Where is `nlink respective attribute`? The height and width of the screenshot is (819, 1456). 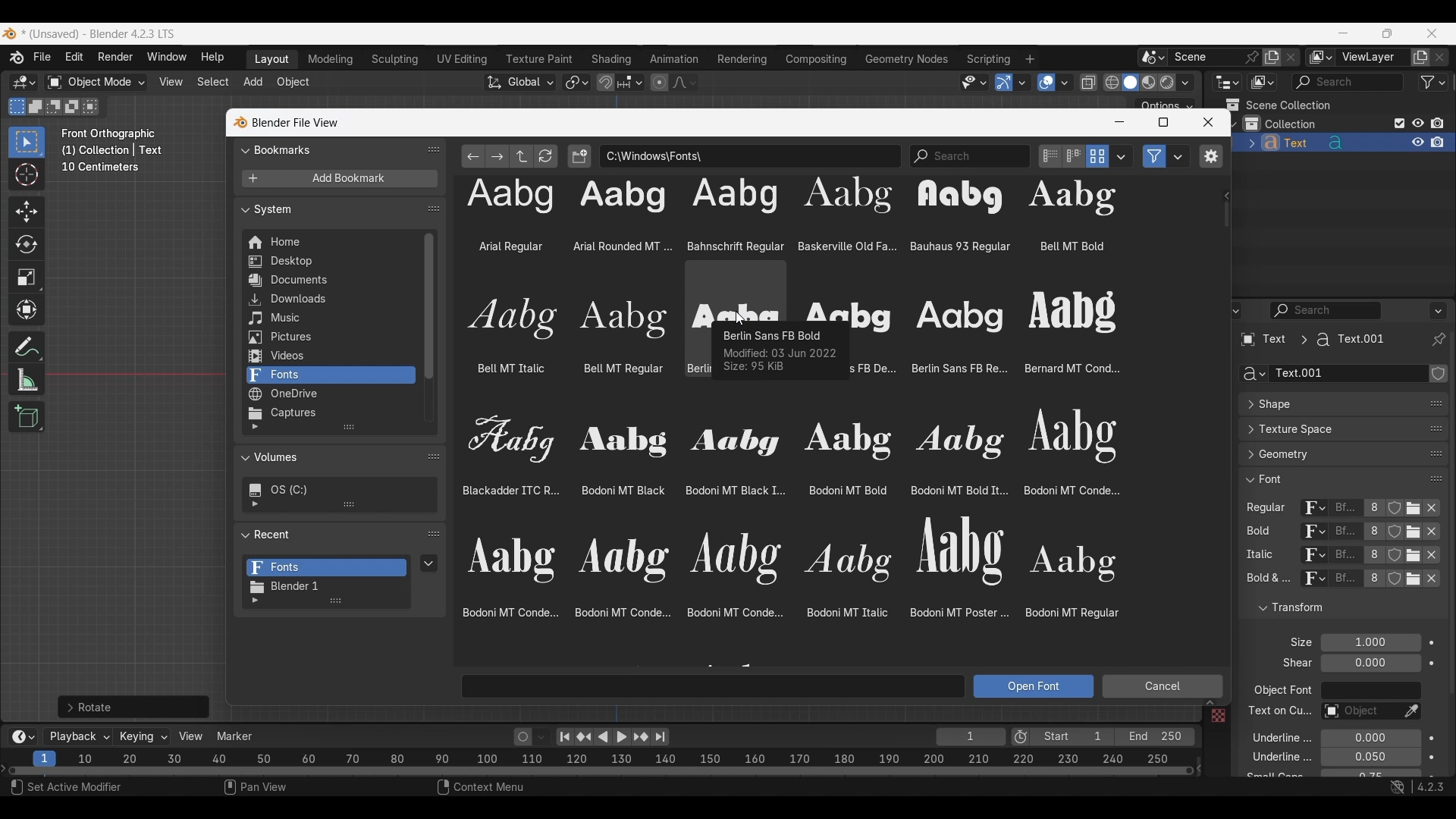 nlink respective attribute is located at coordinates (1406, 533).